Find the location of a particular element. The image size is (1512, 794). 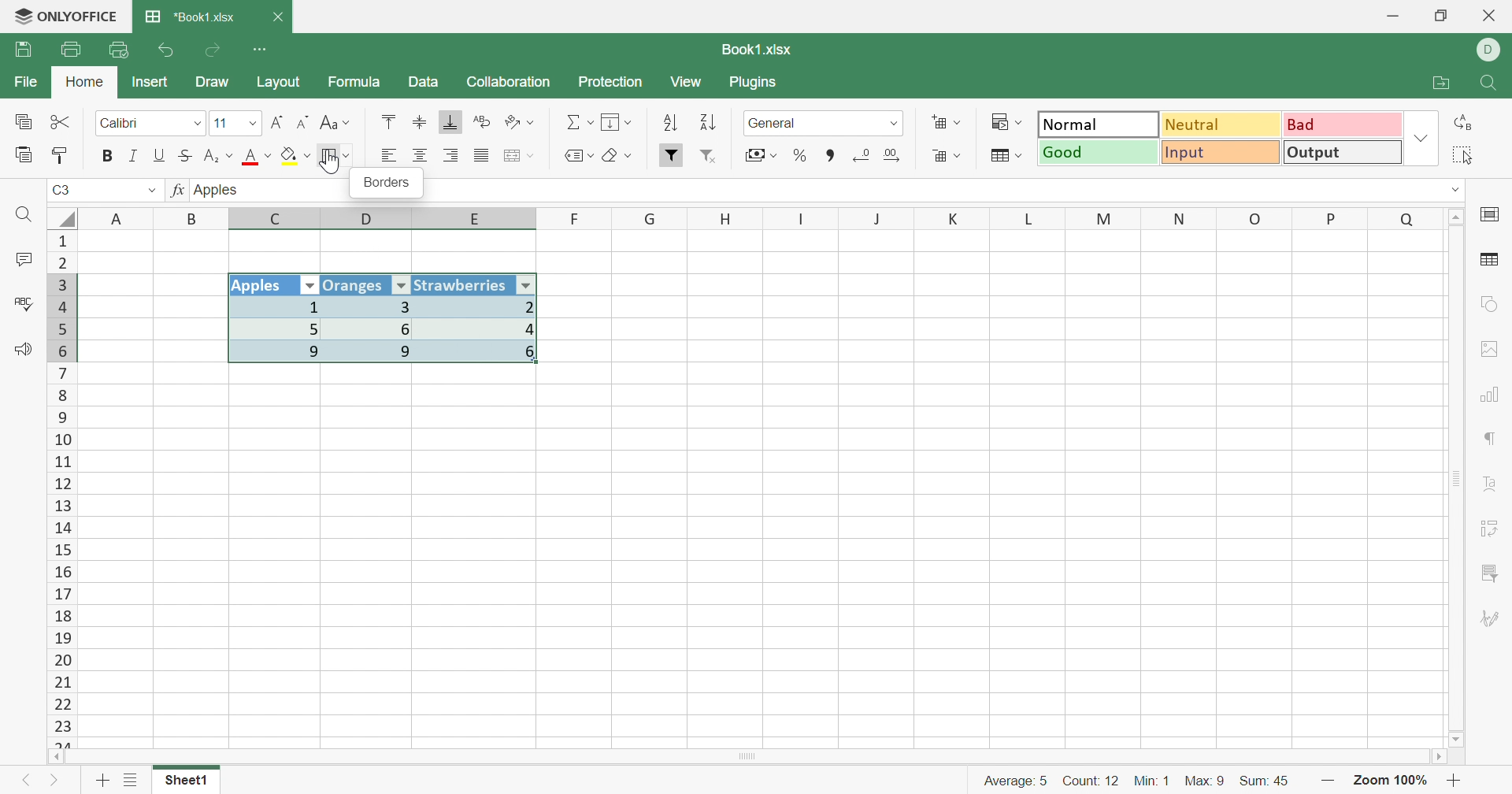

Count: 12 is located at coordinates (1088, 779).